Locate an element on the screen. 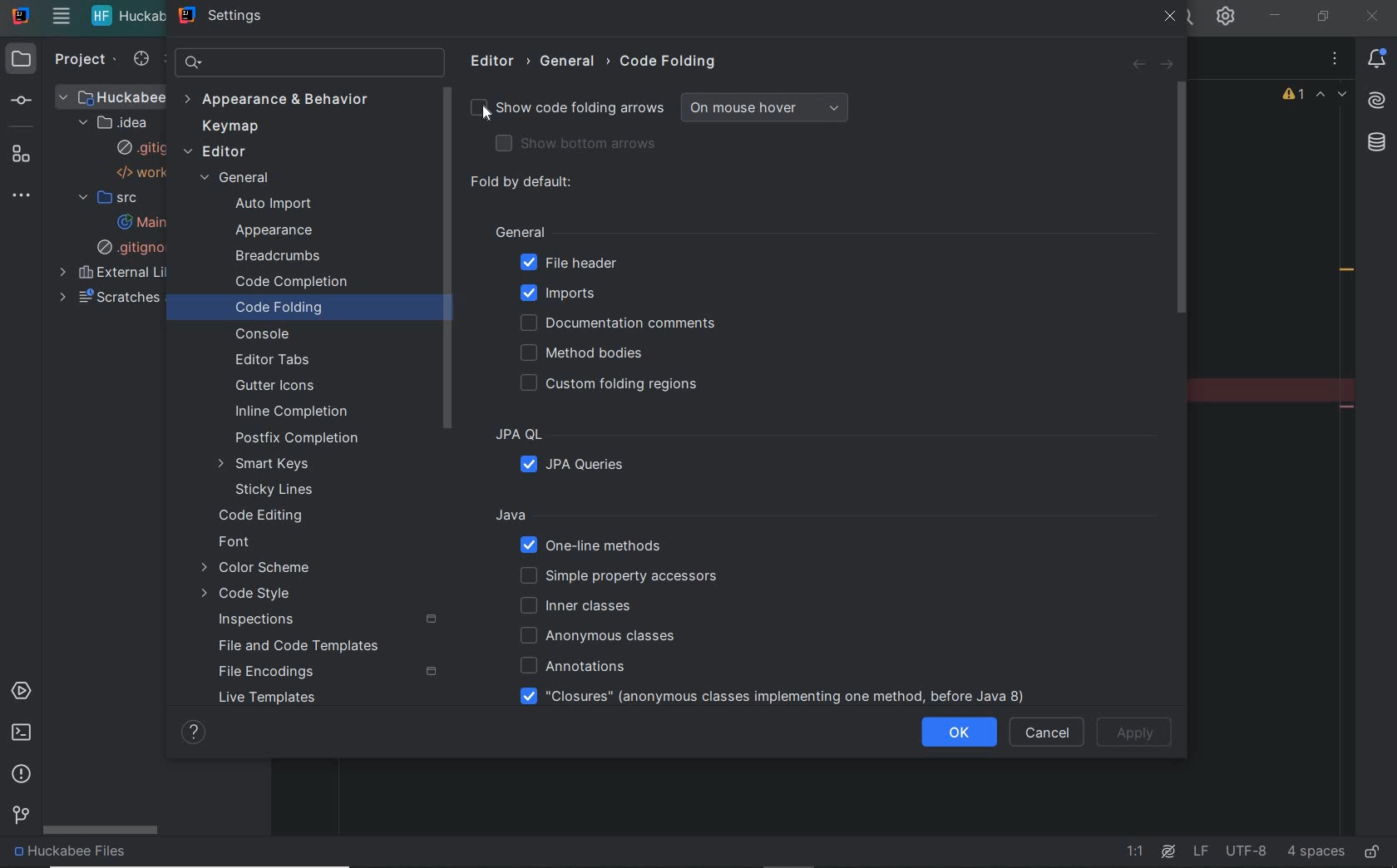 The width and height of the screenshot is (1397, 868). file and code templates is located at coordinates (299, 645).